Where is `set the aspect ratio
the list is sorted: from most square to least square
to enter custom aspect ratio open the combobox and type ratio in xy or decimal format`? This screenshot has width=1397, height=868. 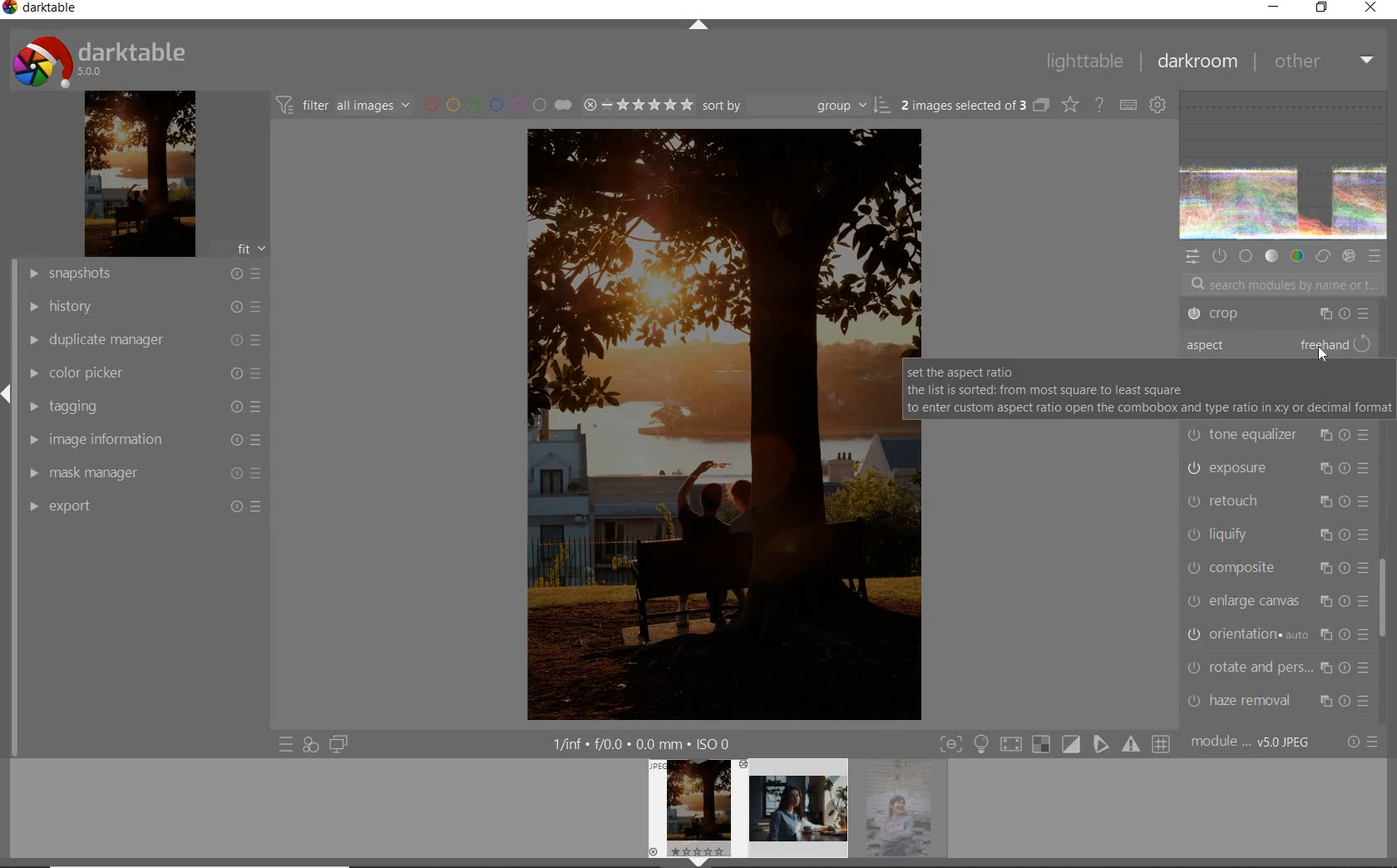
set the aspect ratio
the list is sorted: from most square to least square
to enter custom aspect ratio open the combobox and type ratio in xy or decimal format is located at coordinates (1145, 390).